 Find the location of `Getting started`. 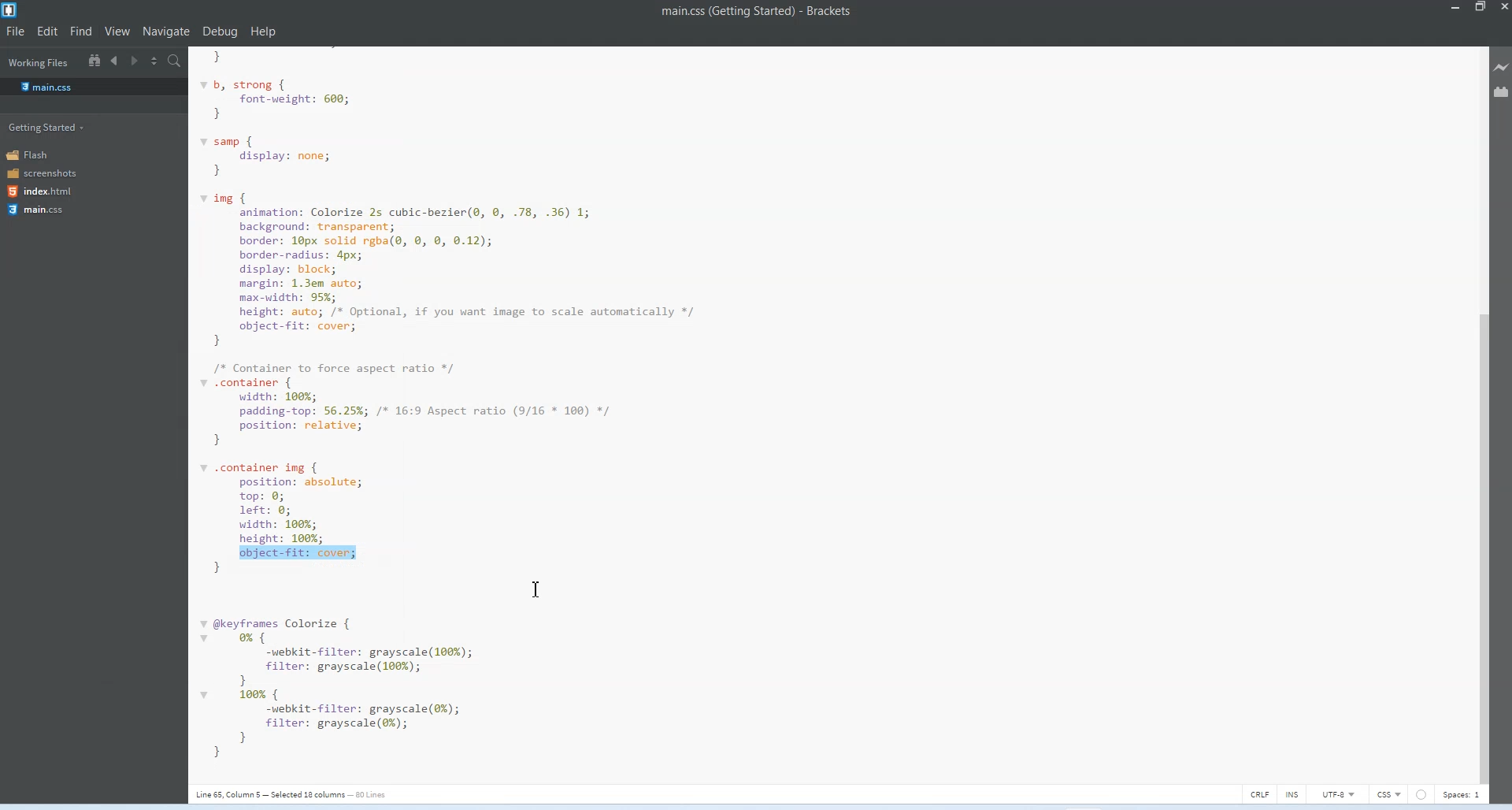

Getting started is located at coordinates (46, 128).